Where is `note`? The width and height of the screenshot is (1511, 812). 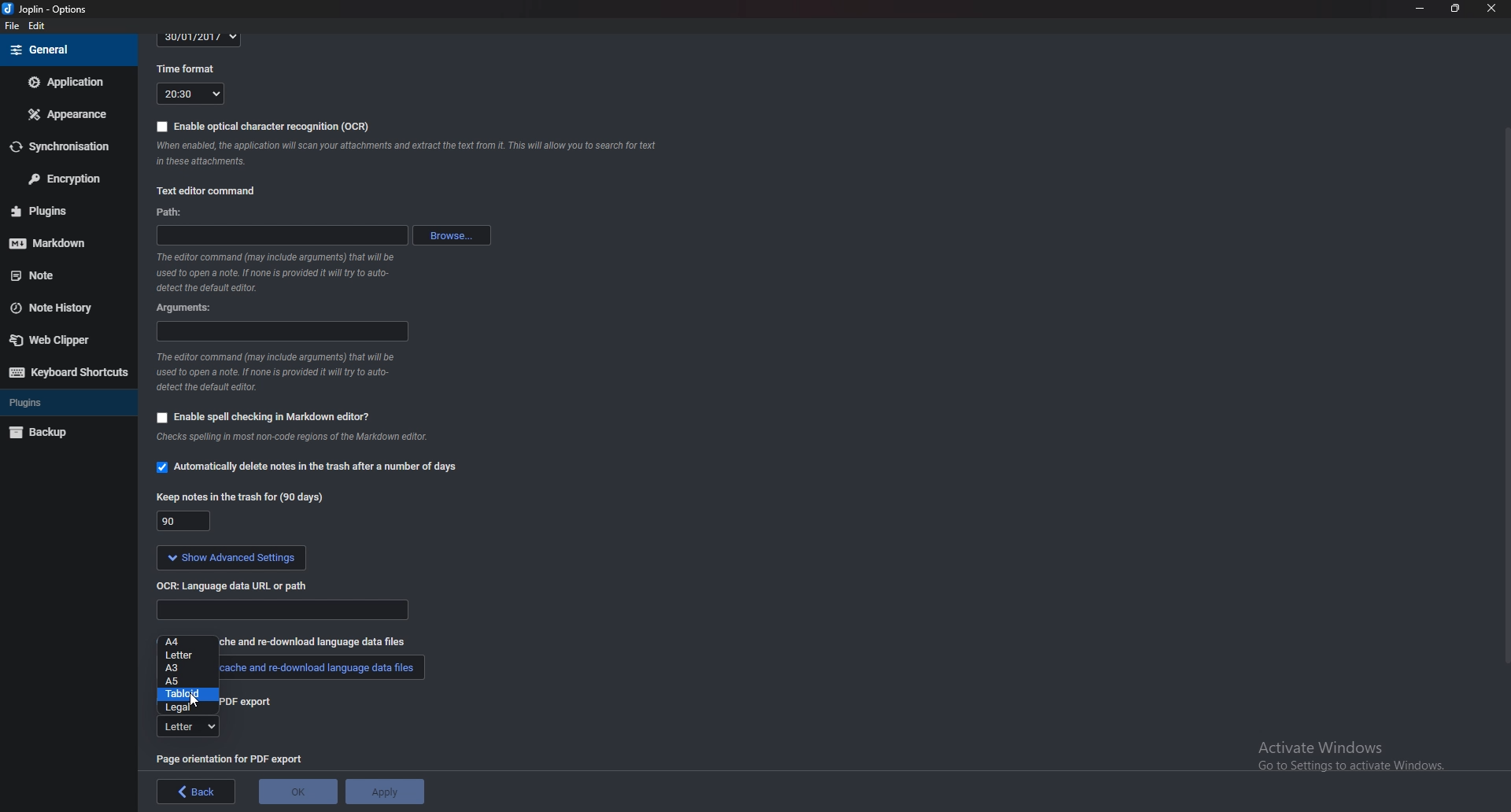 note is located at coordinates (59, 276).